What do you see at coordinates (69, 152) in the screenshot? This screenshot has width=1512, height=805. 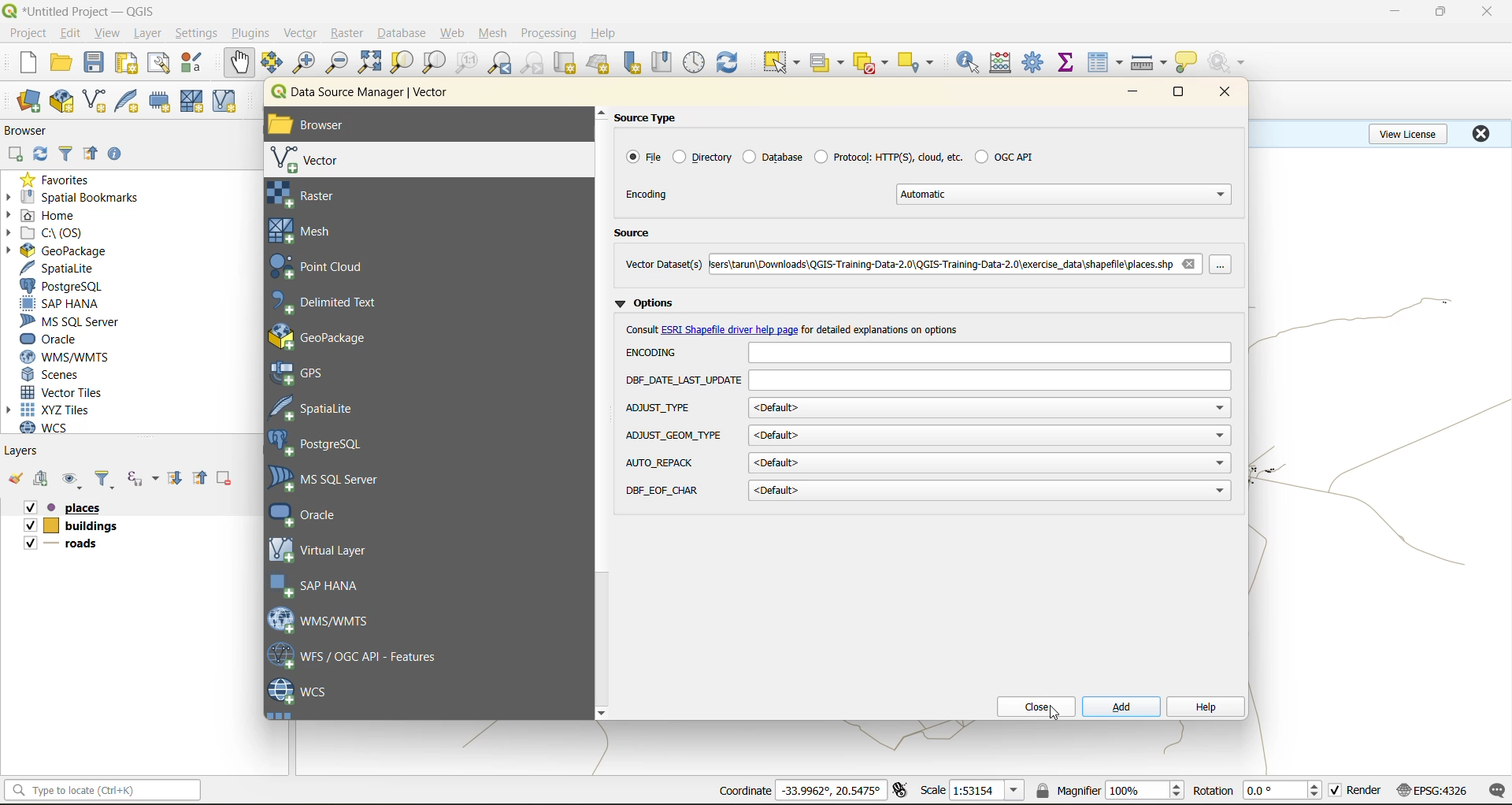 I see `filter` at bounding box center [69, 152].